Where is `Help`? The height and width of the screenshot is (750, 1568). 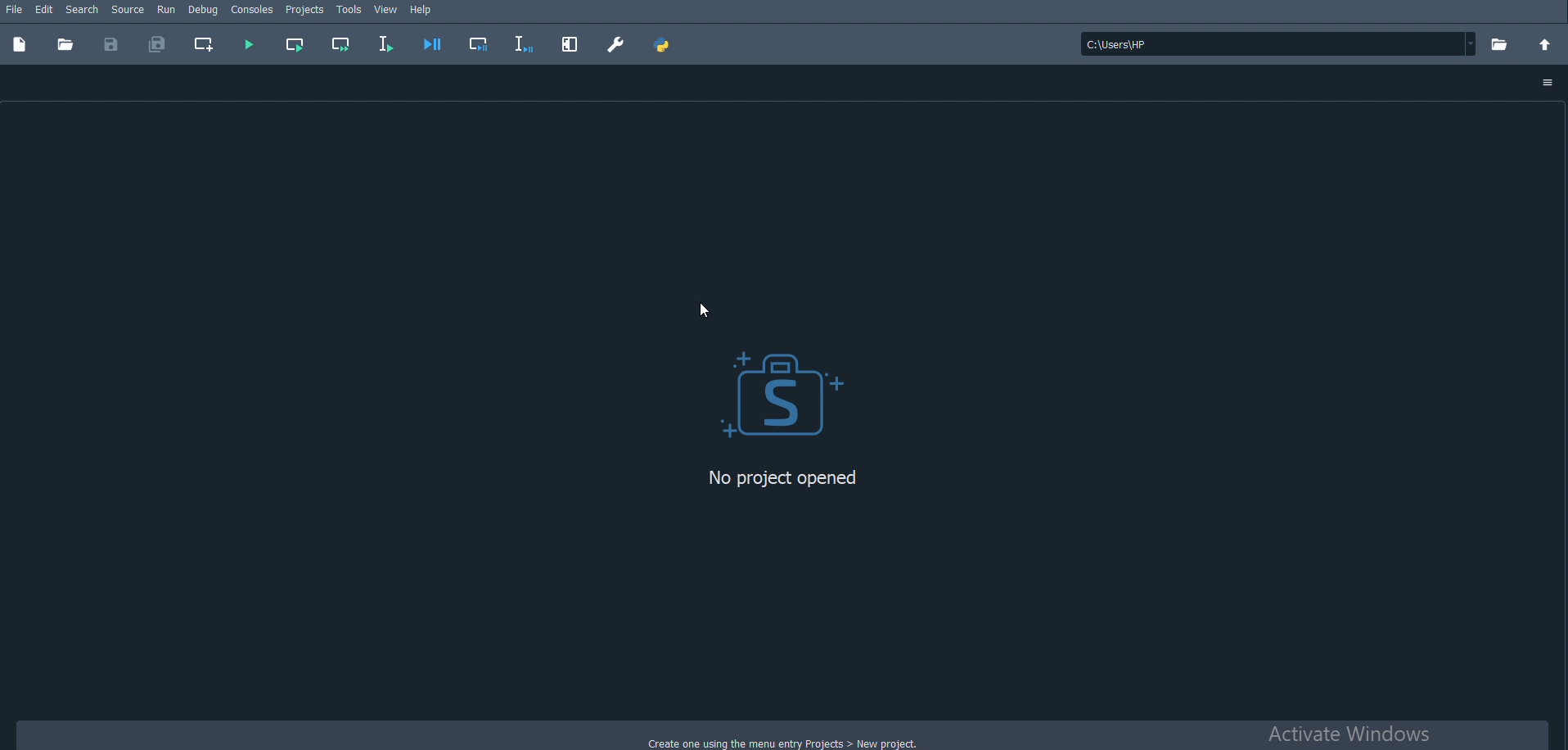 Help is located at coordinates (422, 8).